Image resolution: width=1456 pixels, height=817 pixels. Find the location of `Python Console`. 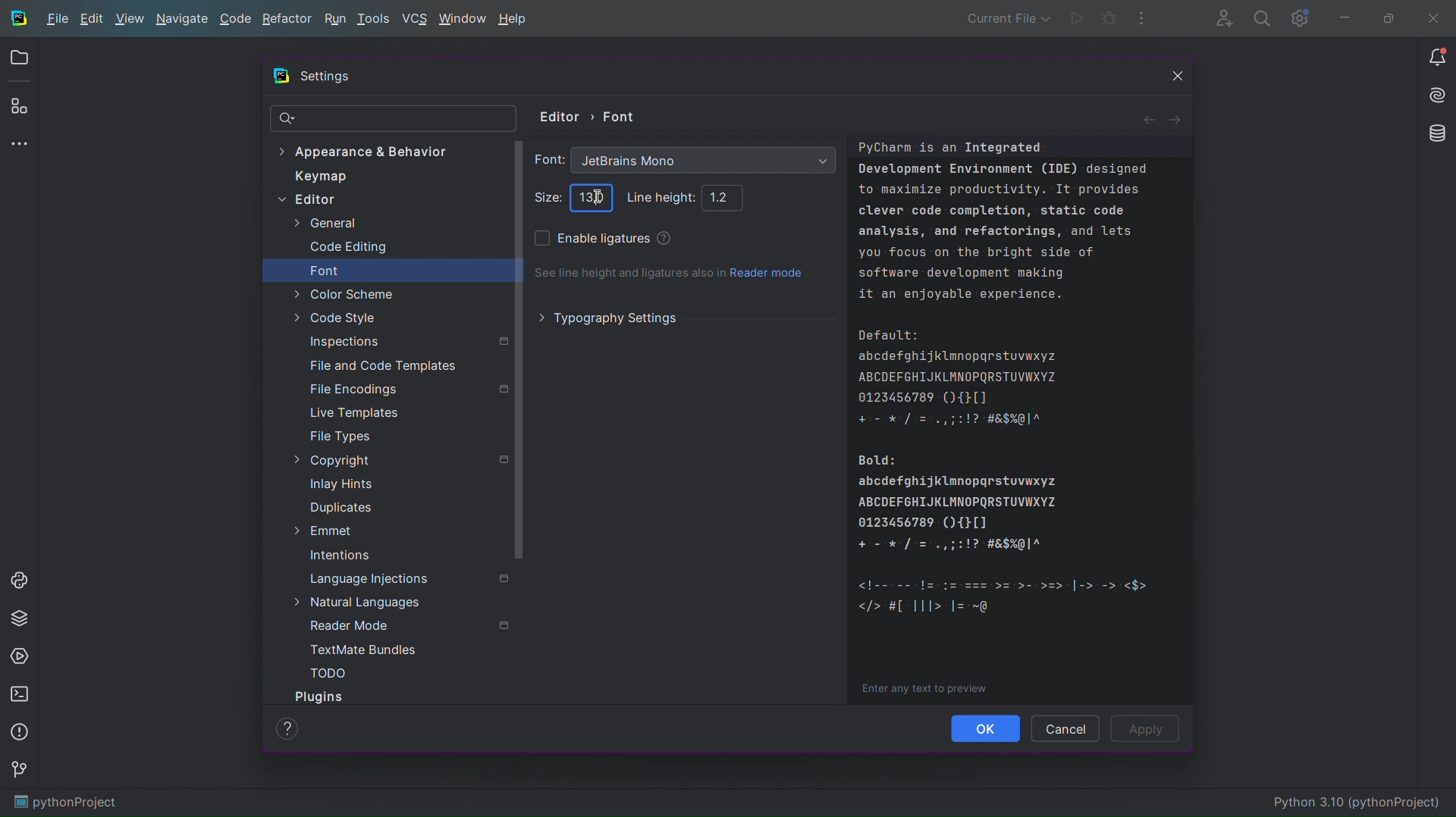

Python Console is located at coordinates (22, 578).